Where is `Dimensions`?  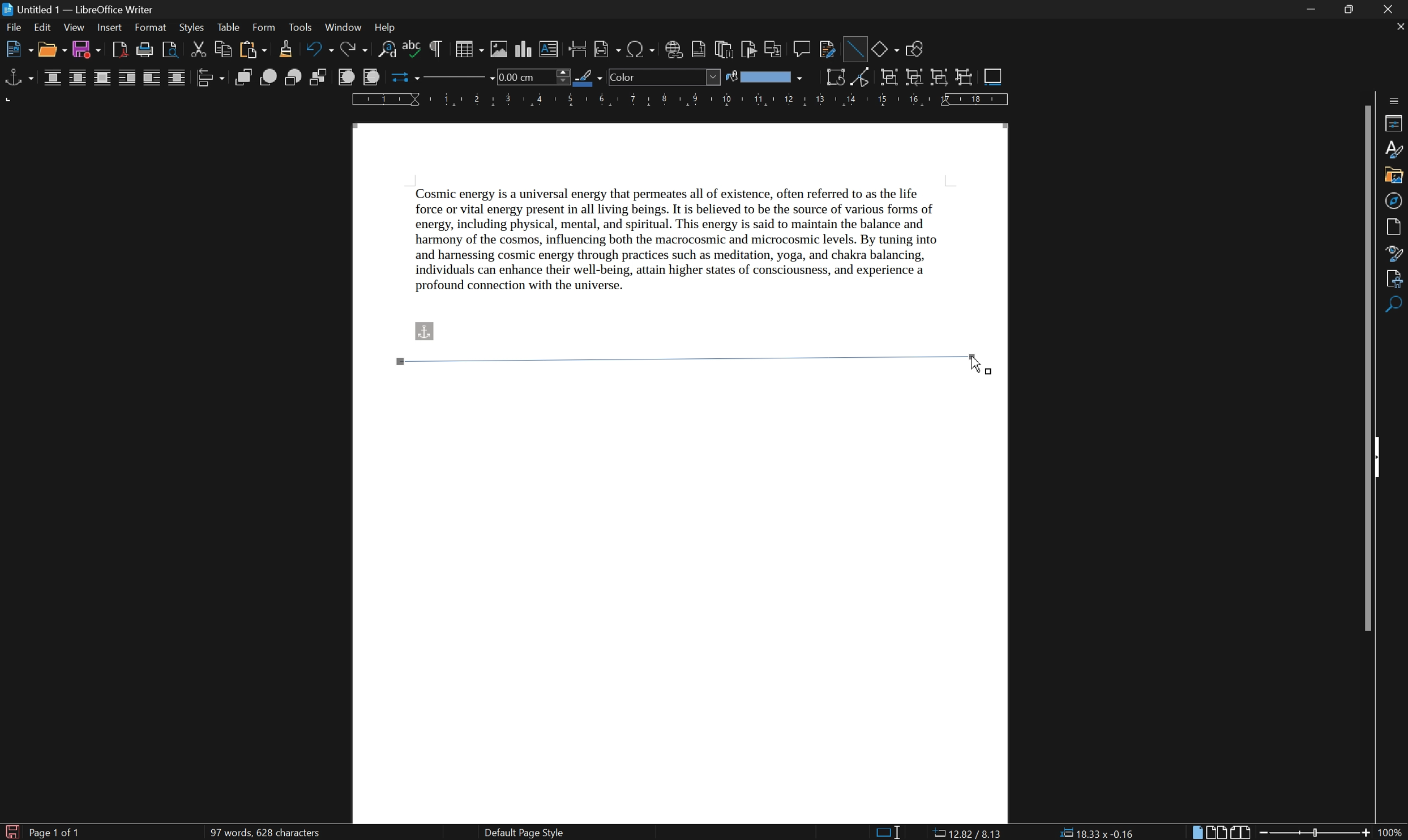 Dimensions is located at coordinates (966, 832).